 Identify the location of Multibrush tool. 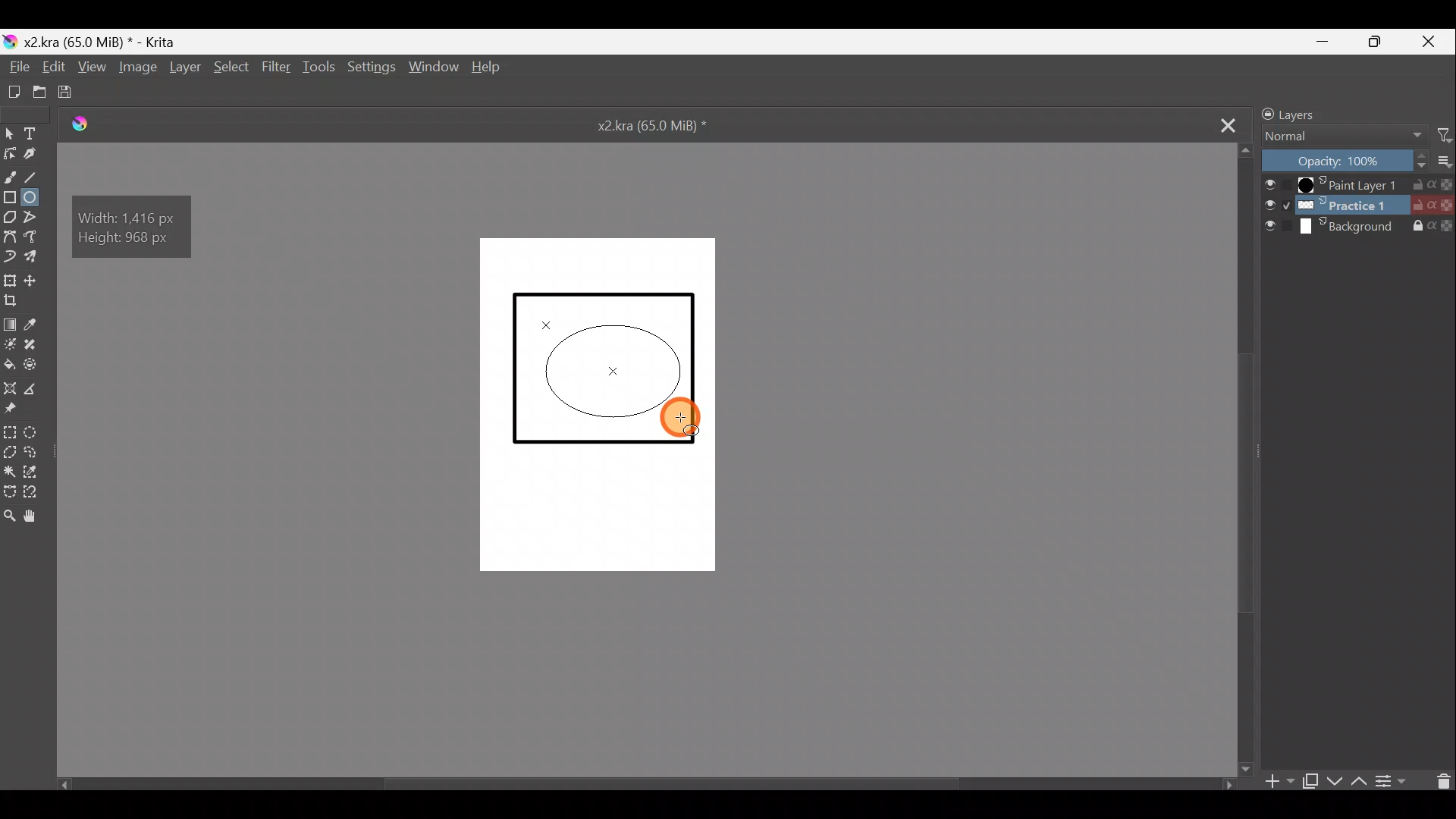
(35, 256).